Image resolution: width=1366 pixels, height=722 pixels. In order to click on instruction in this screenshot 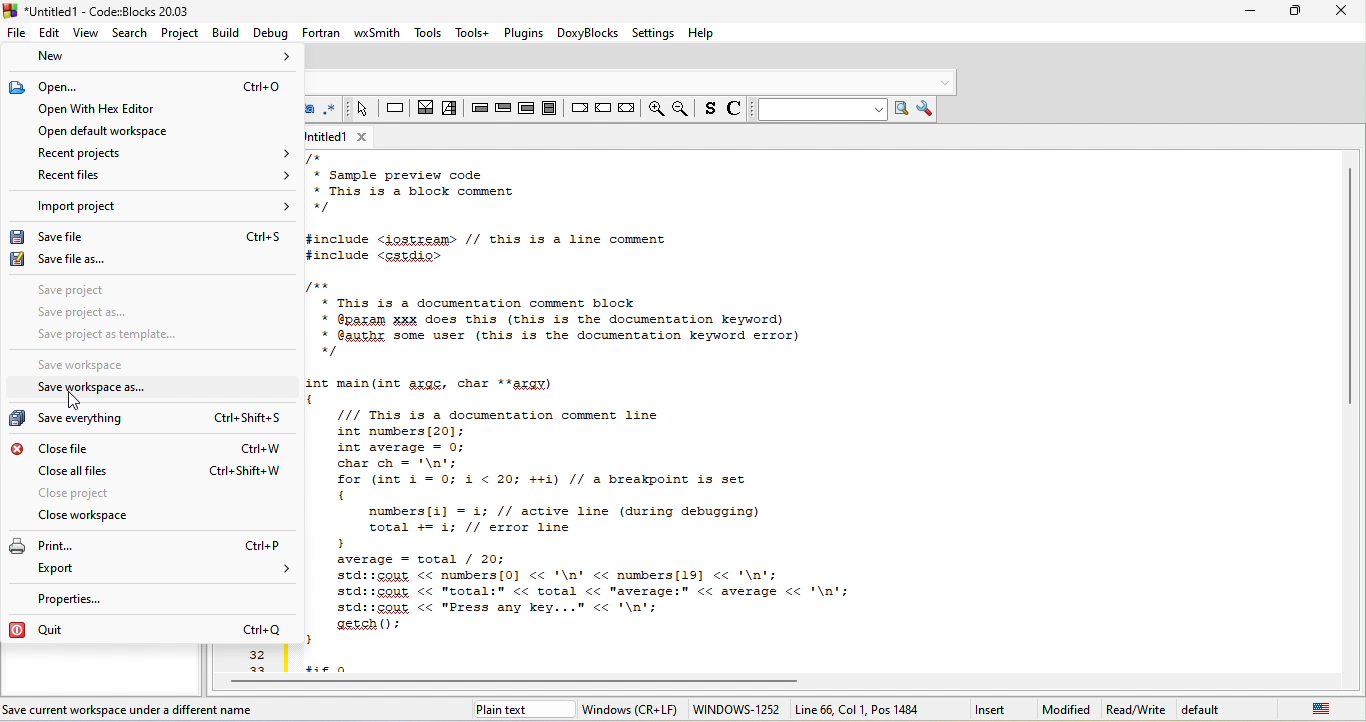, I will do `click(395, 109)`.